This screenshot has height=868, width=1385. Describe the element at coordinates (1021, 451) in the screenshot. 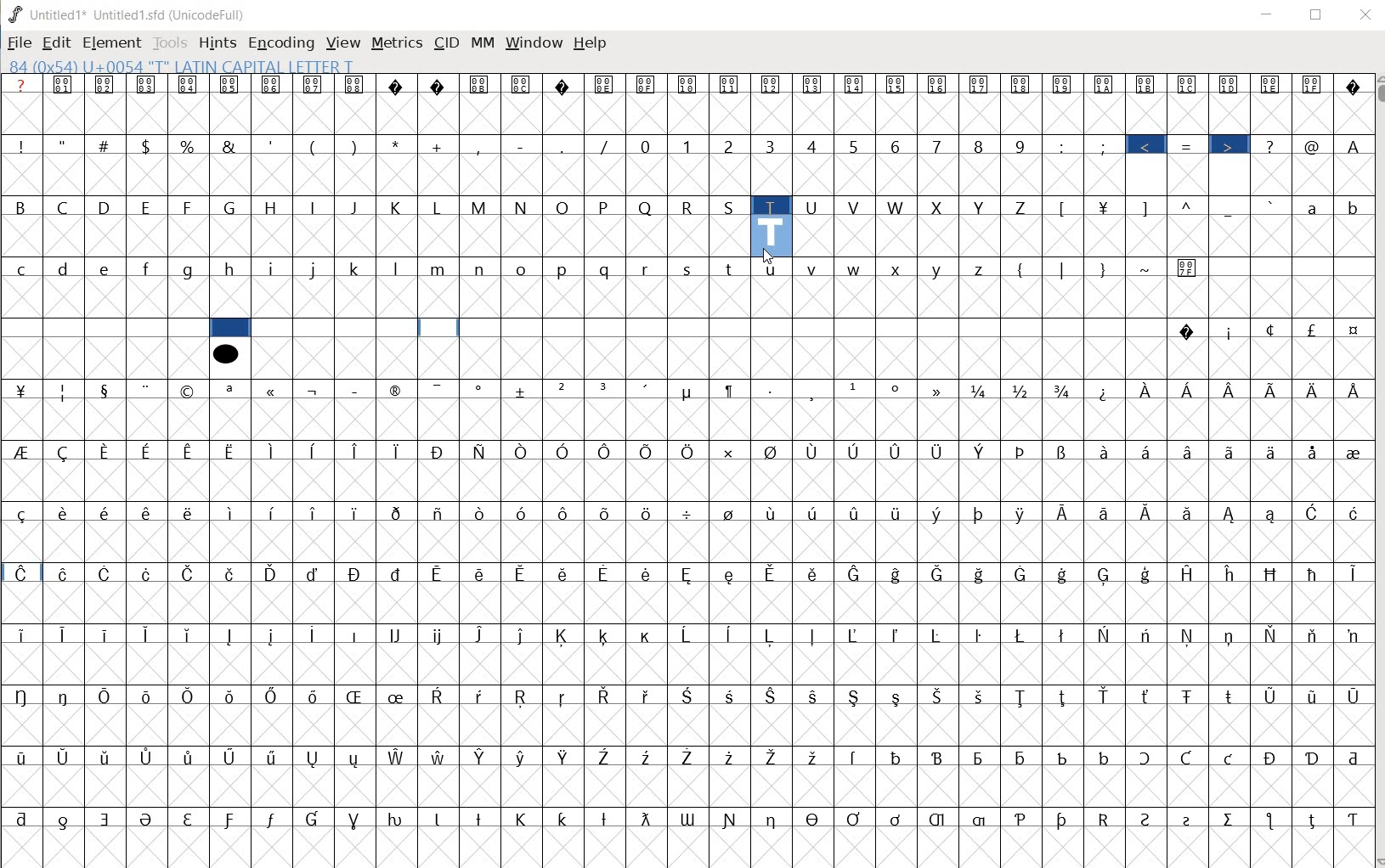

I see `Symbol` at that location.